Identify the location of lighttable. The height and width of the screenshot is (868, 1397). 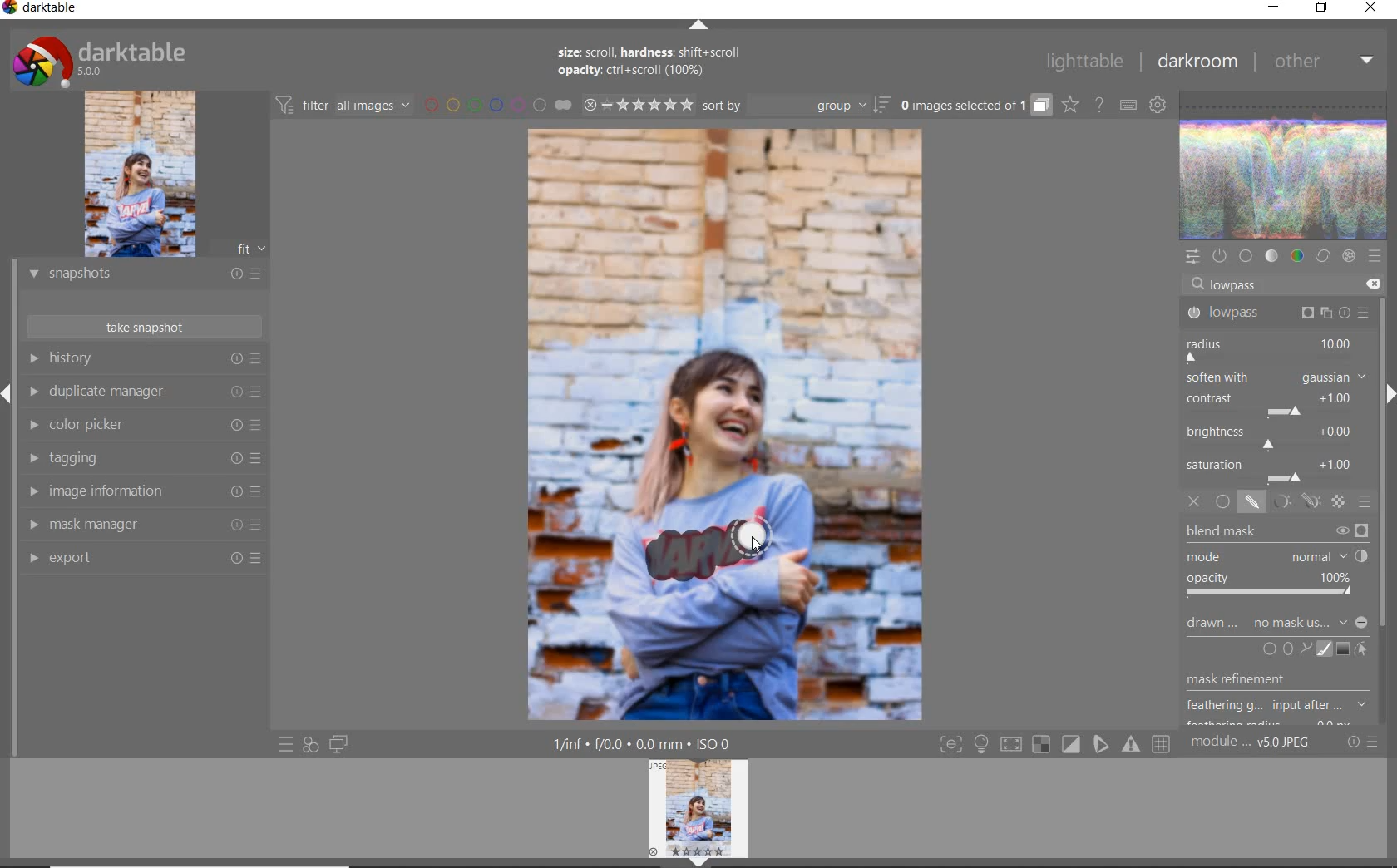
(1082, 64).